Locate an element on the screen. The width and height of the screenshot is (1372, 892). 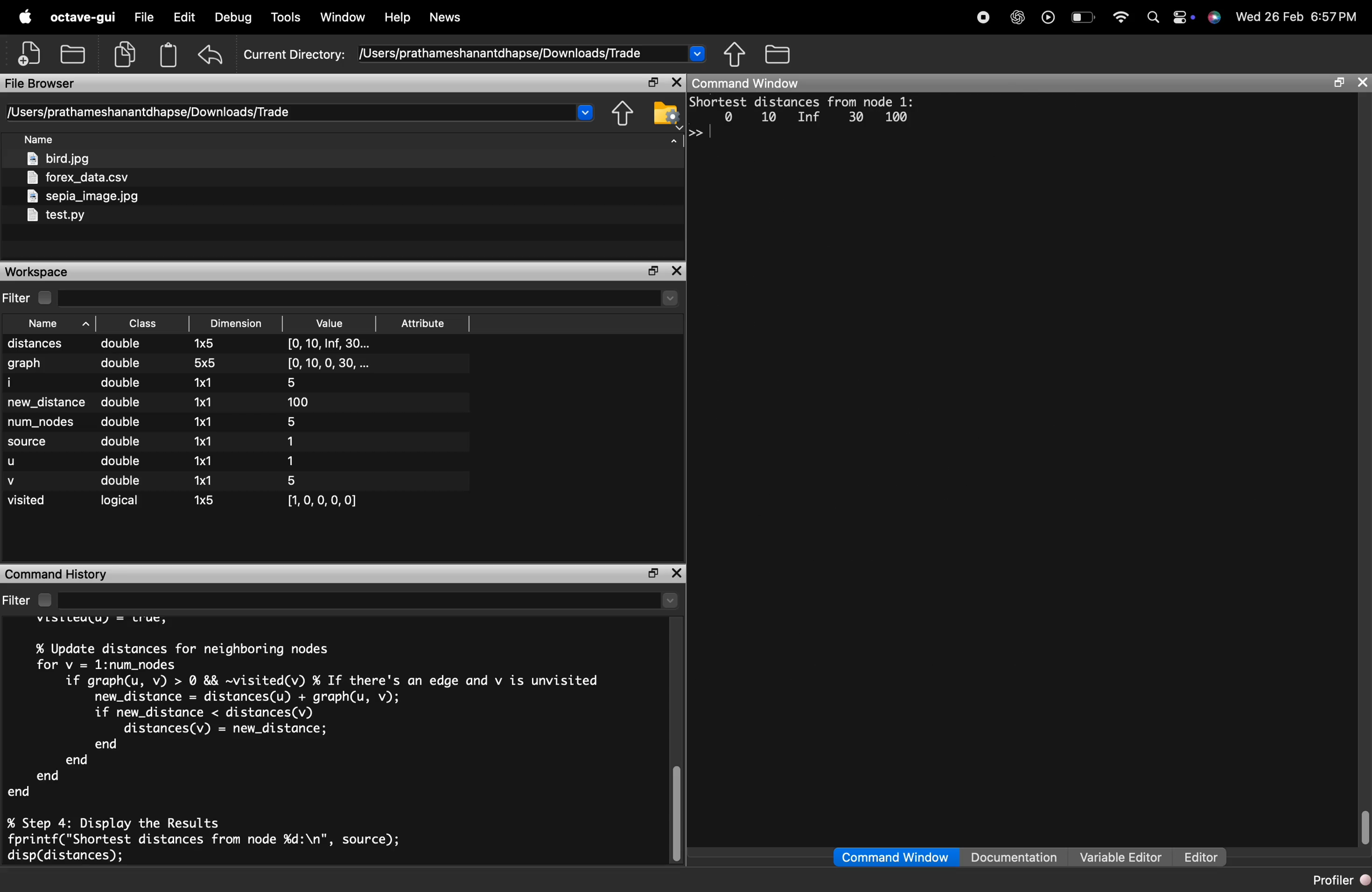
one directory up is located at coordinates (734, 54).